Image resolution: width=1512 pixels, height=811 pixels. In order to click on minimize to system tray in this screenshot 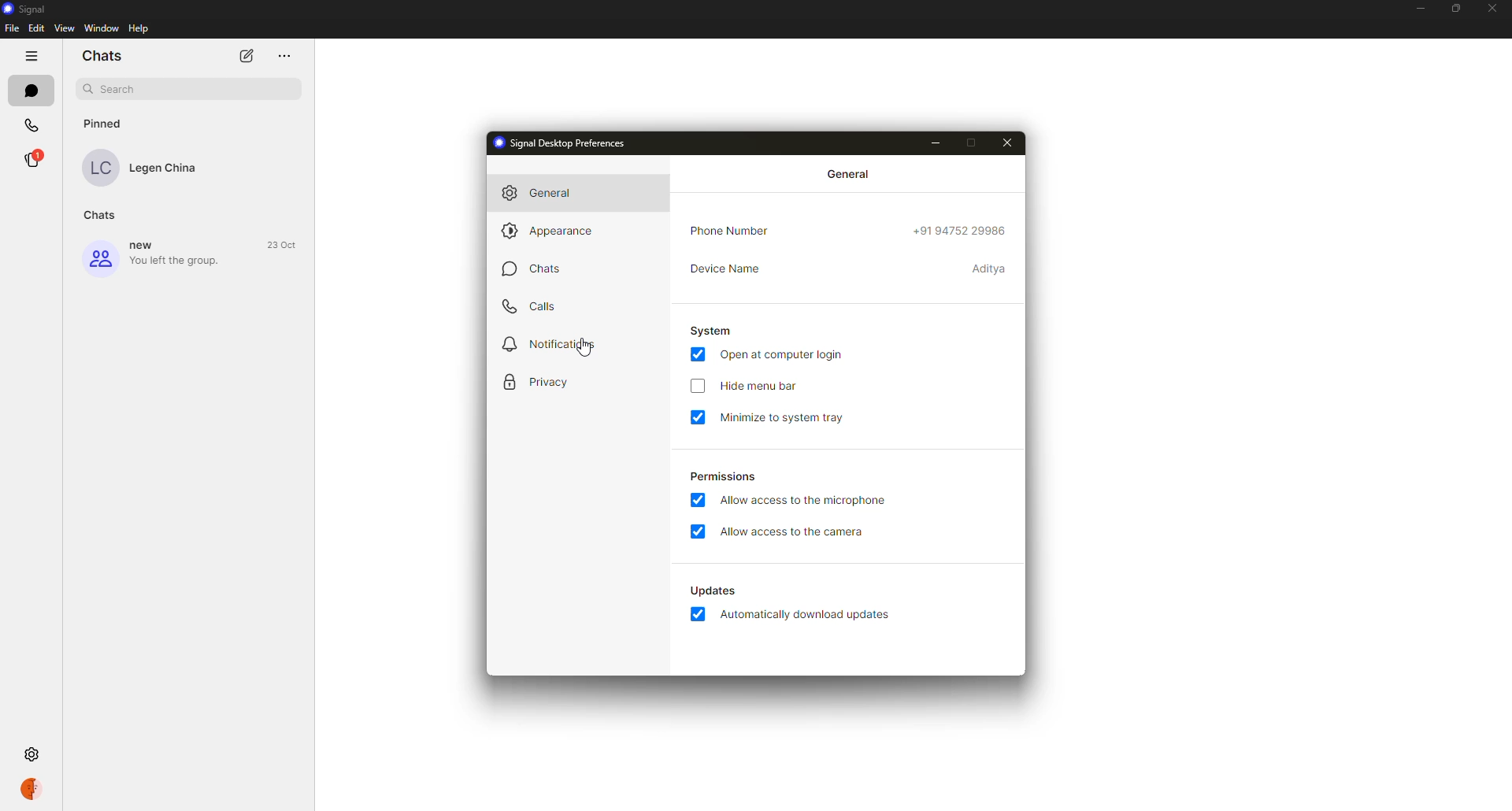, I will do `click(784, 420)`.